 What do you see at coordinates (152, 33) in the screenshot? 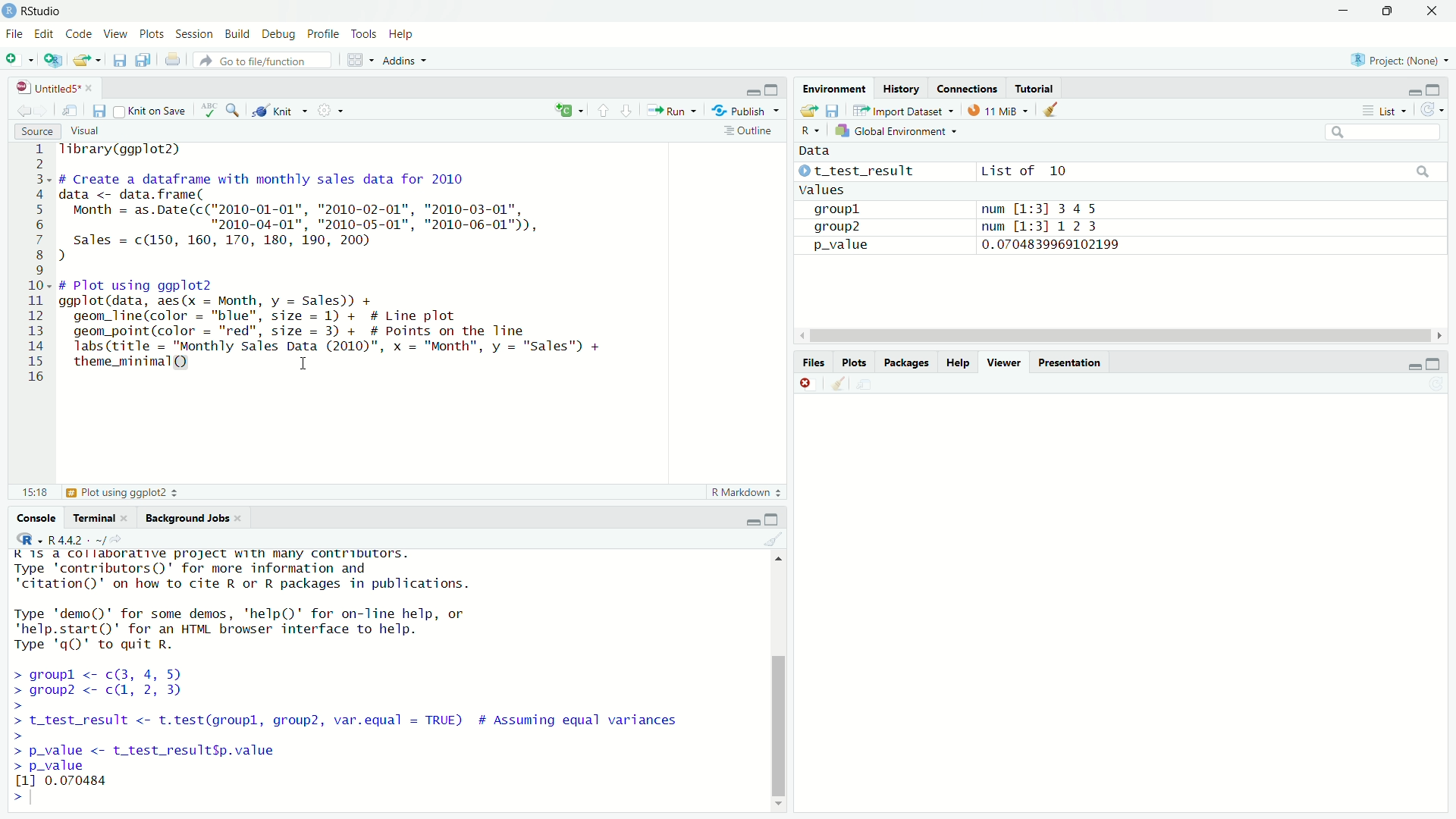
I see `Plots` at bounding box center [152, 33].